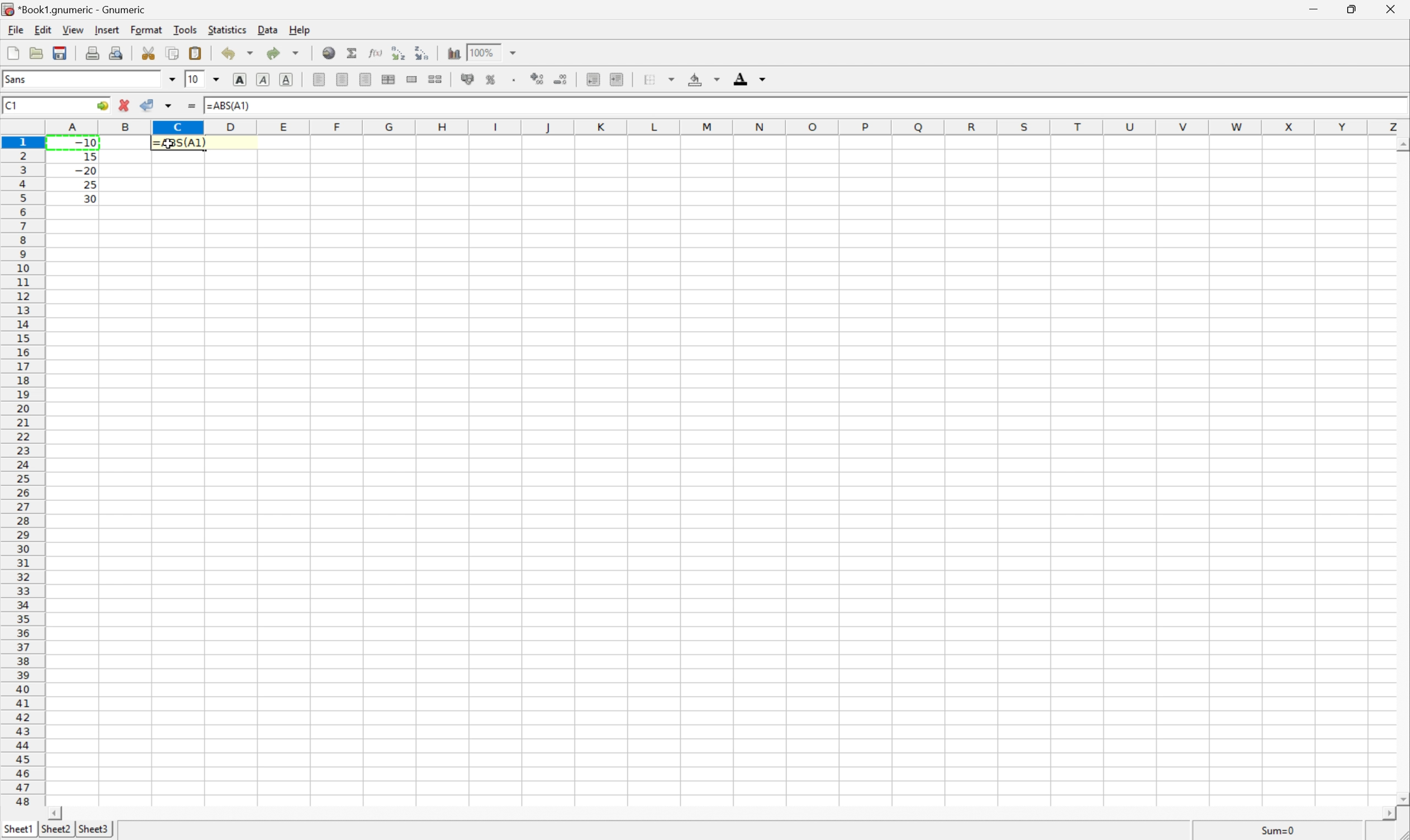 The width and height of the screenshot is (1410, 840). Describe the element at coordinates (23, 474) in the screenshot. I see `Row numbers` at that location.